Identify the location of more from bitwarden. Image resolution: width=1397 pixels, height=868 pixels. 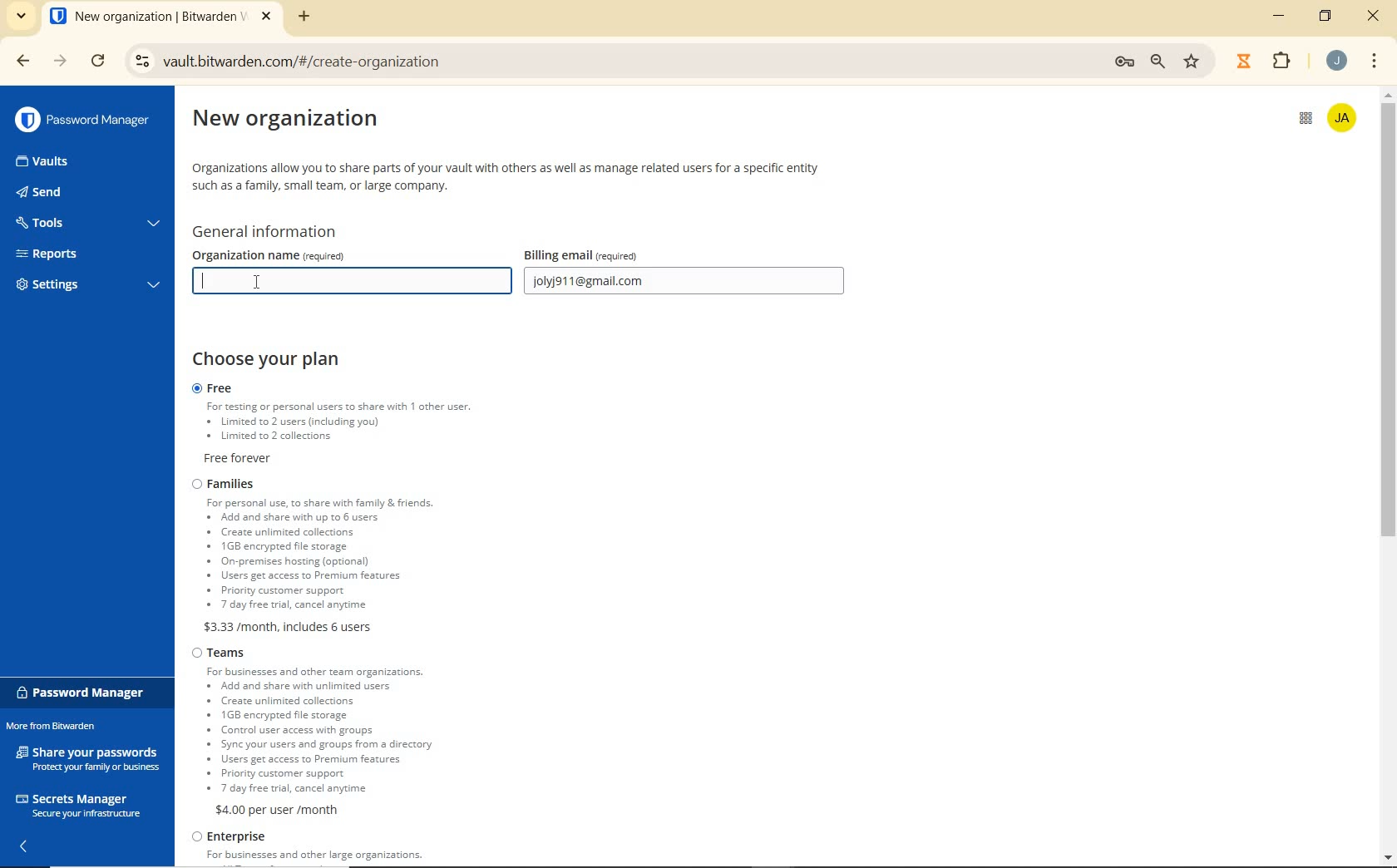
(61, 727).